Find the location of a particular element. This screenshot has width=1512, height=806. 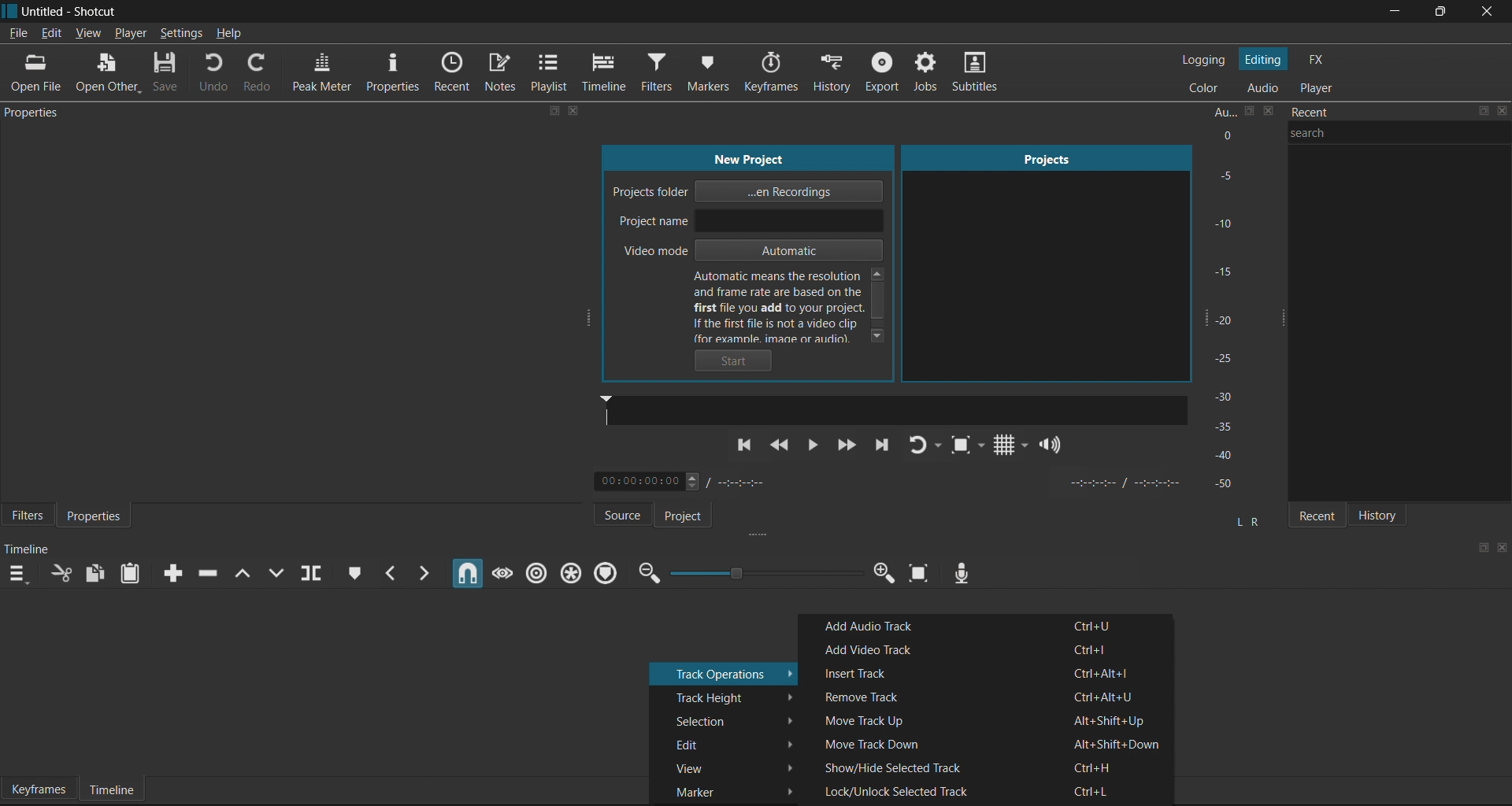

Scrub while dragging is located at coordinates (501, 570).